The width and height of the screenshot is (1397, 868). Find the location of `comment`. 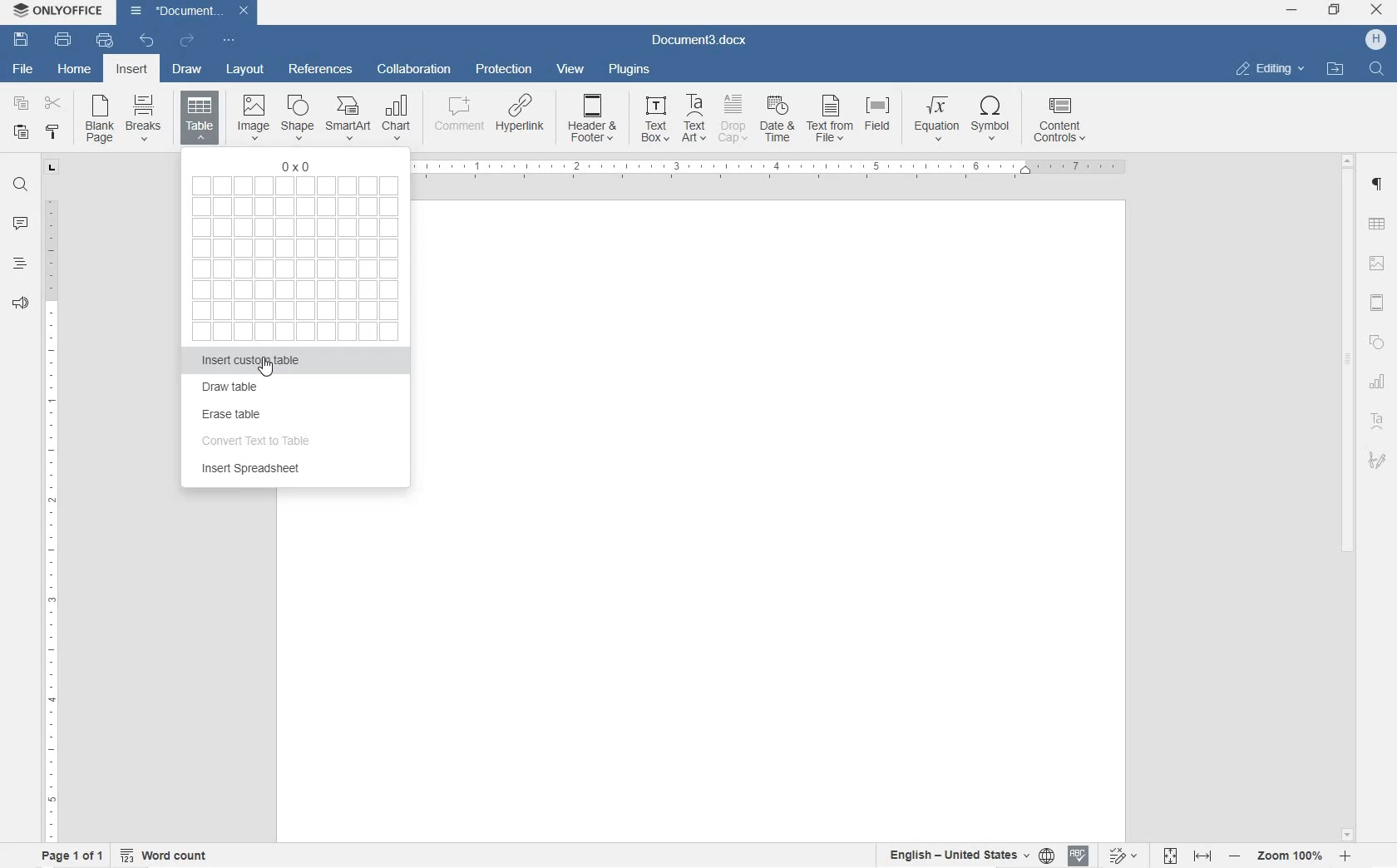

comment is located at coordinates (456, 118).